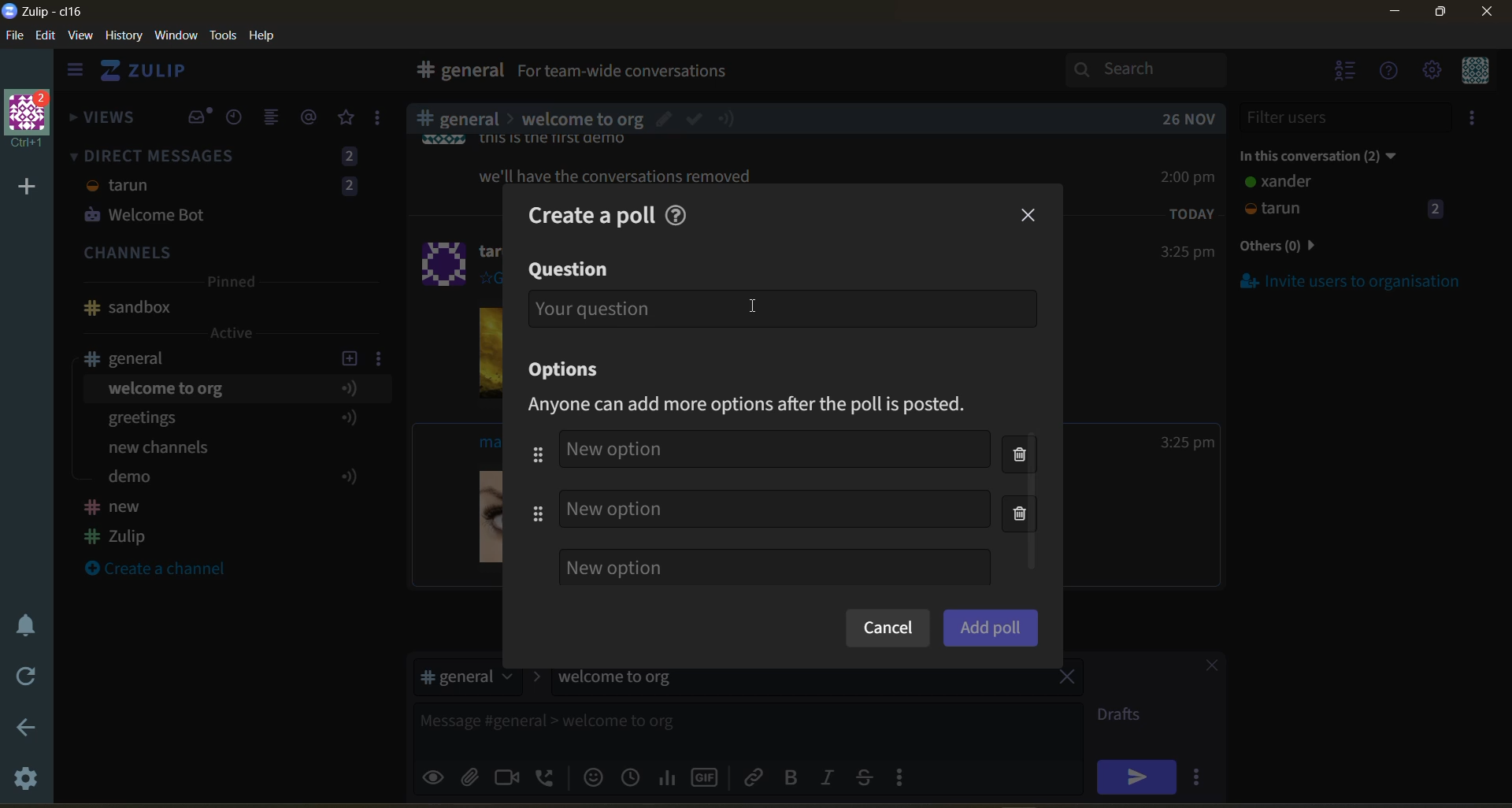 This screenshot has width=1512, height=808. I want to click on reactions and drafts, so click(384, 121).